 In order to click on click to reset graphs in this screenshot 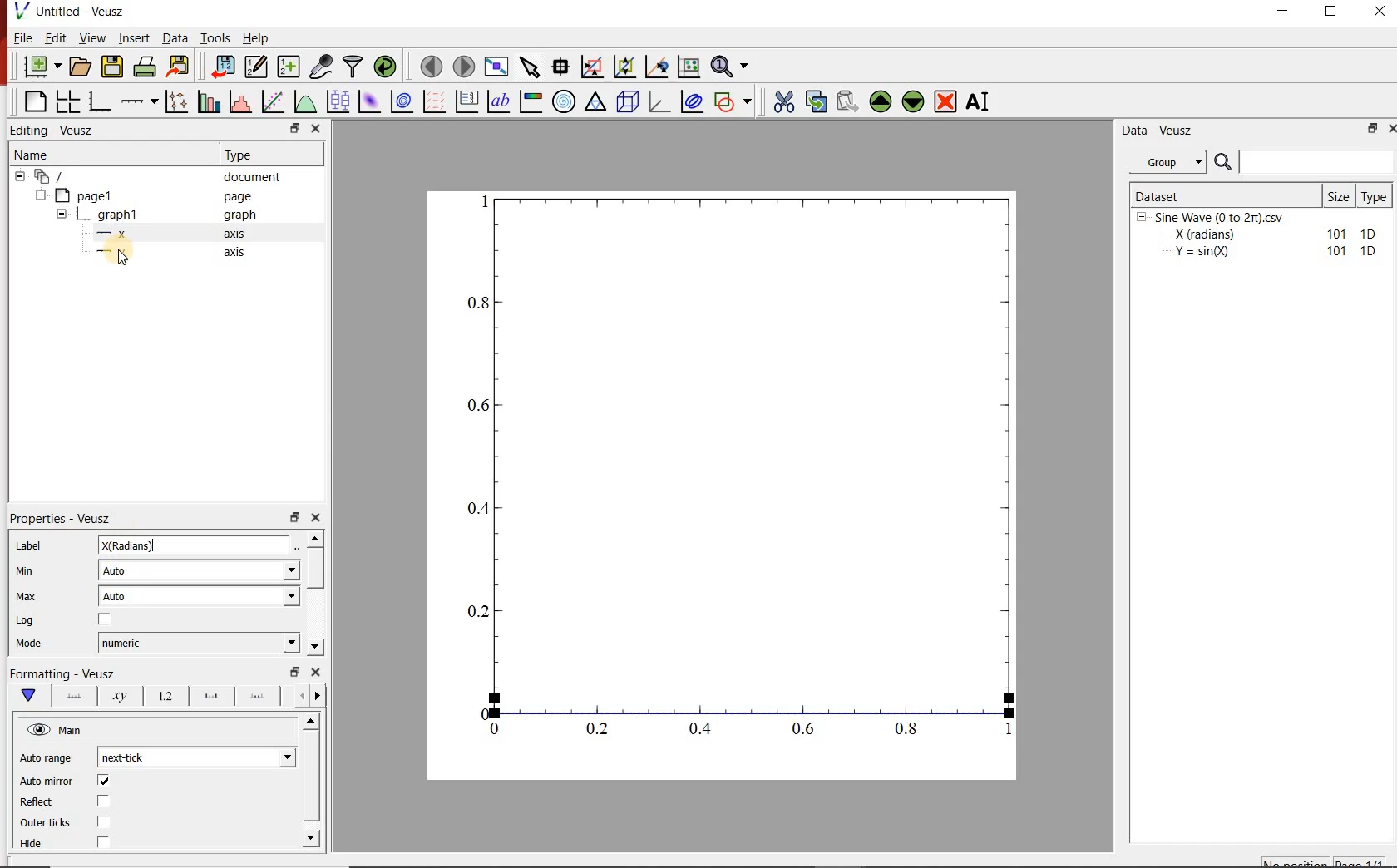, I will do `click(689, 66)`.